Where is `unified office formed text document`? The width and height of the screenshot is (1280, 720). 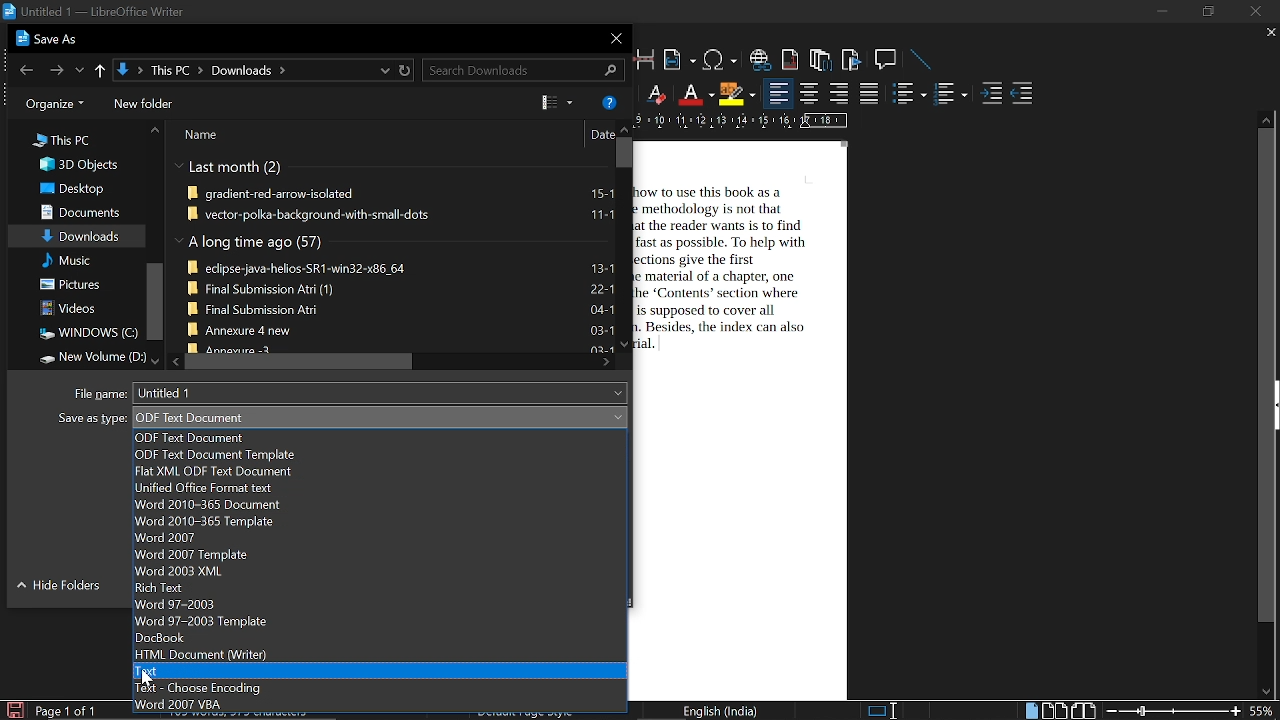 unified office formed text document is located at coordinates (380, 488).